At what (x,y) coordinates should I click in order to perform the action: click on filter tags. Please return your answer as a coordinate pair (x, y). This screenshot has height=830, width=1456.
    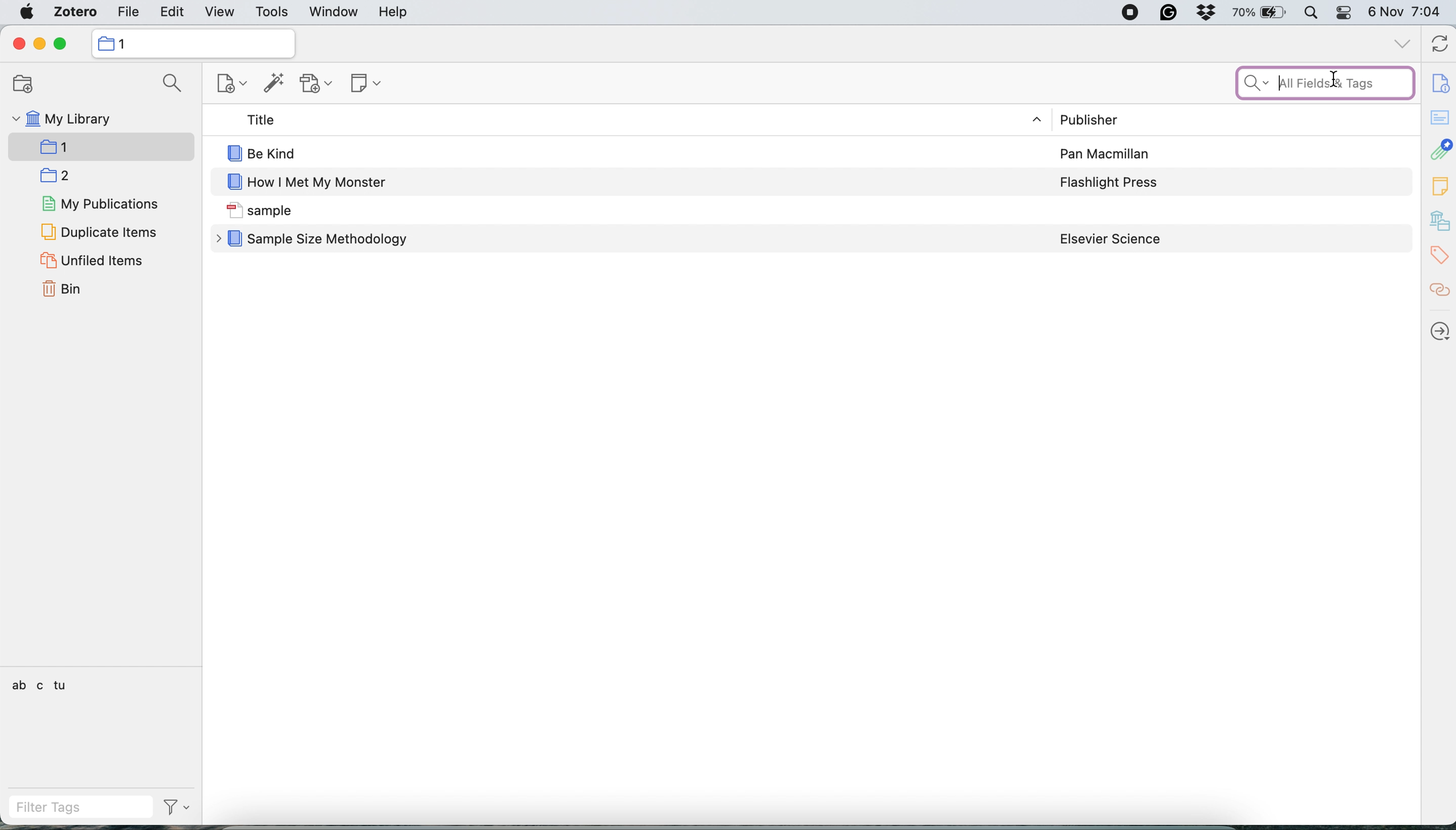
    Looking at the image, I should click on (80, 805).